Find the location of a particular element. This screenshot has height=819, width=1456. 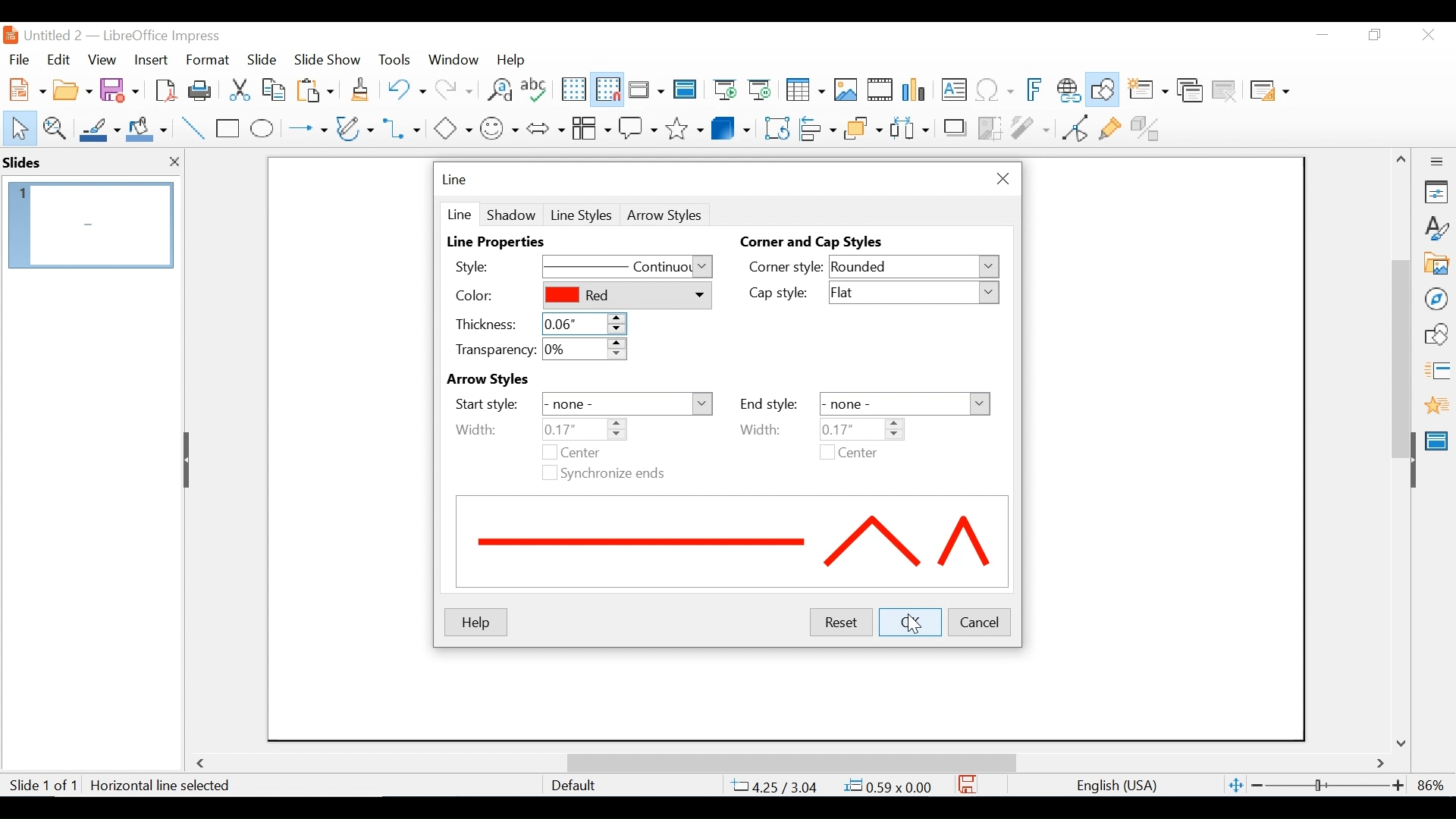

Open is located at coordinates (72, 88).